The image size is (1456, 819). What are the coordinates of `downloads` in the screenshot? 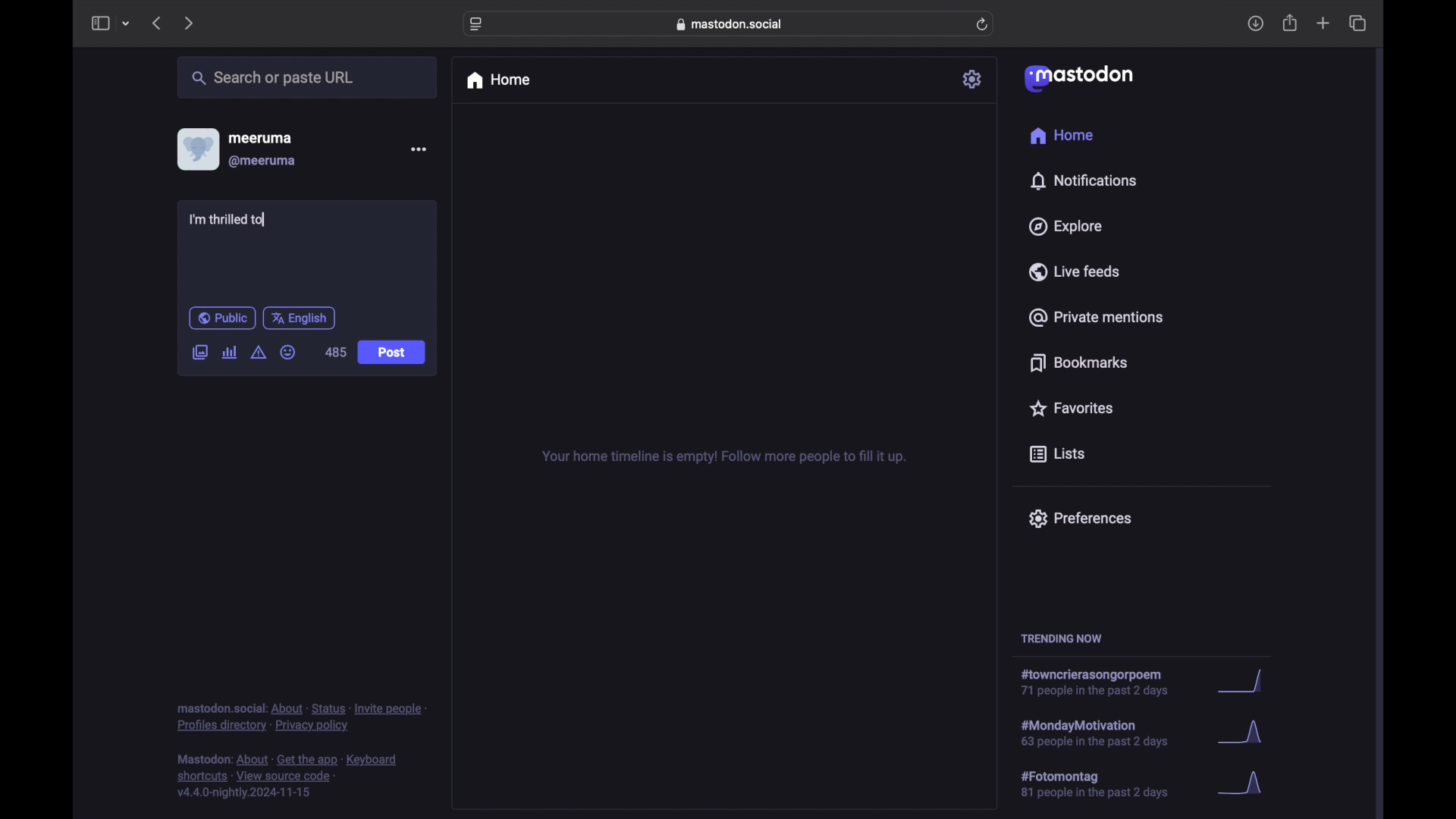 It's located at (1255, 24).